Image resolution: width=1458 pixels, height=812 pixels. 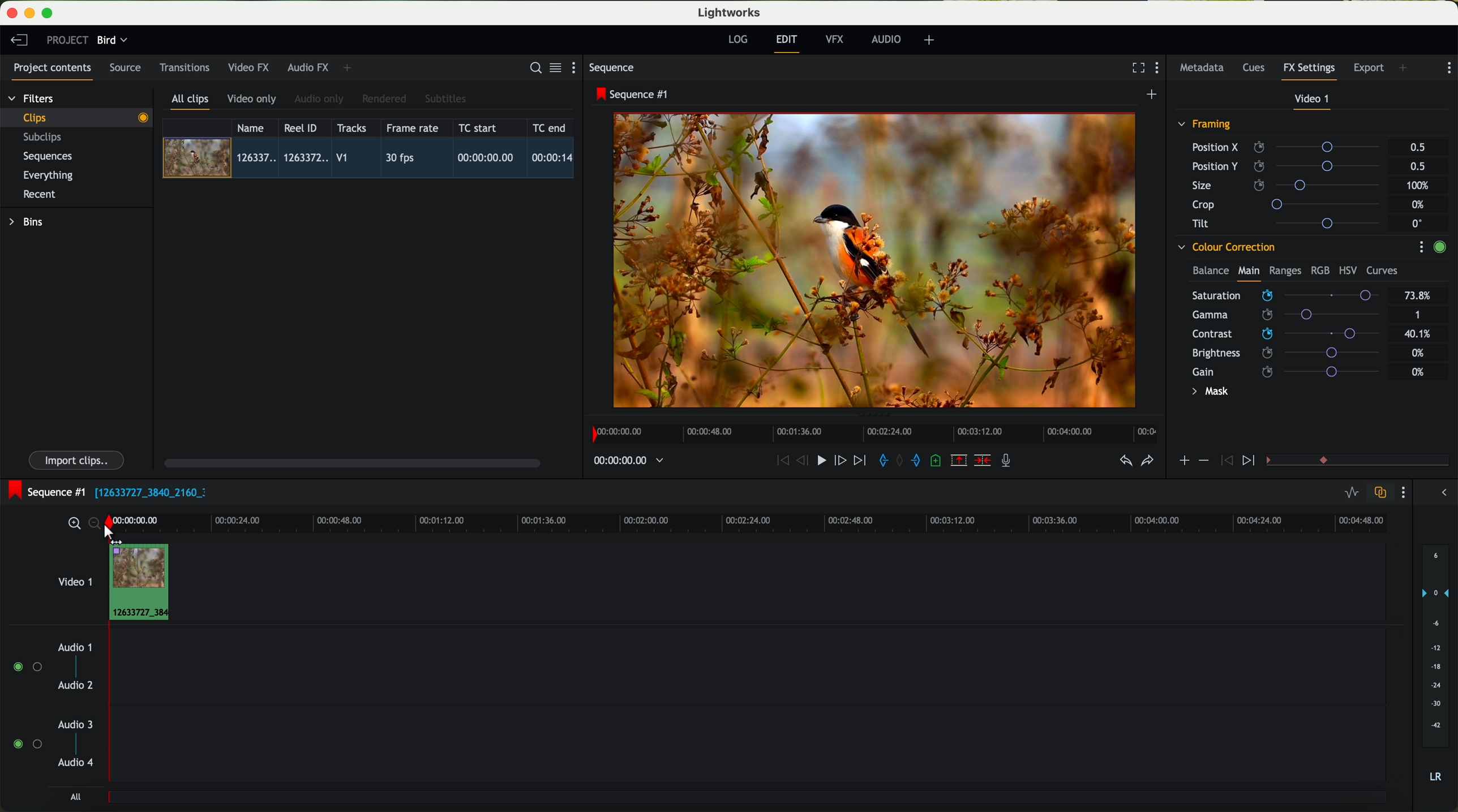 What do you see at coordinates (1418, 296) in the screenshot?
I see `73.8%` at bounding box center [1418, 296].